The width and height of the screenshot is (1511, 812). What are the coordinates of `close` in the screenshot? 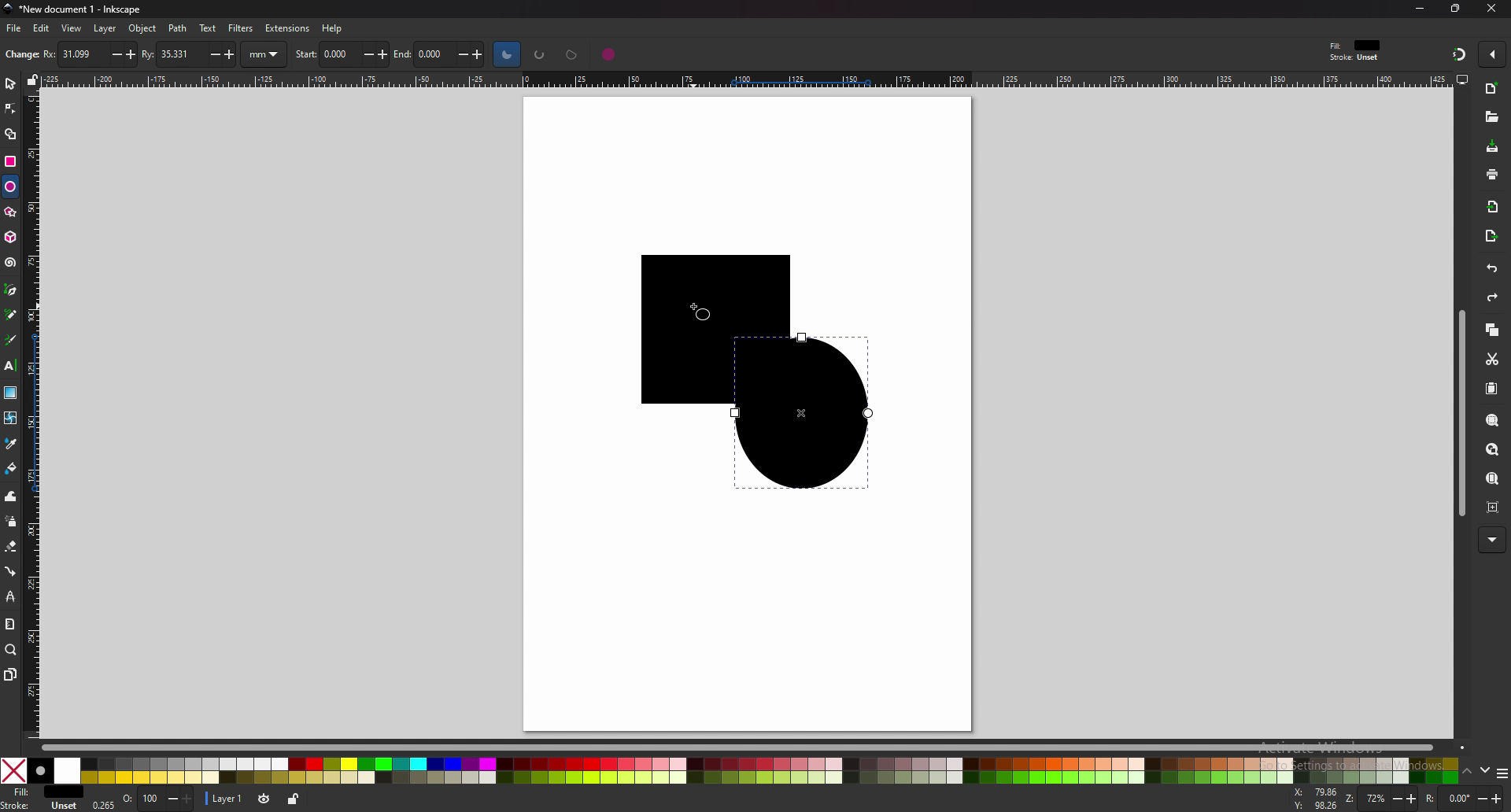 It's located at (1493, 10).